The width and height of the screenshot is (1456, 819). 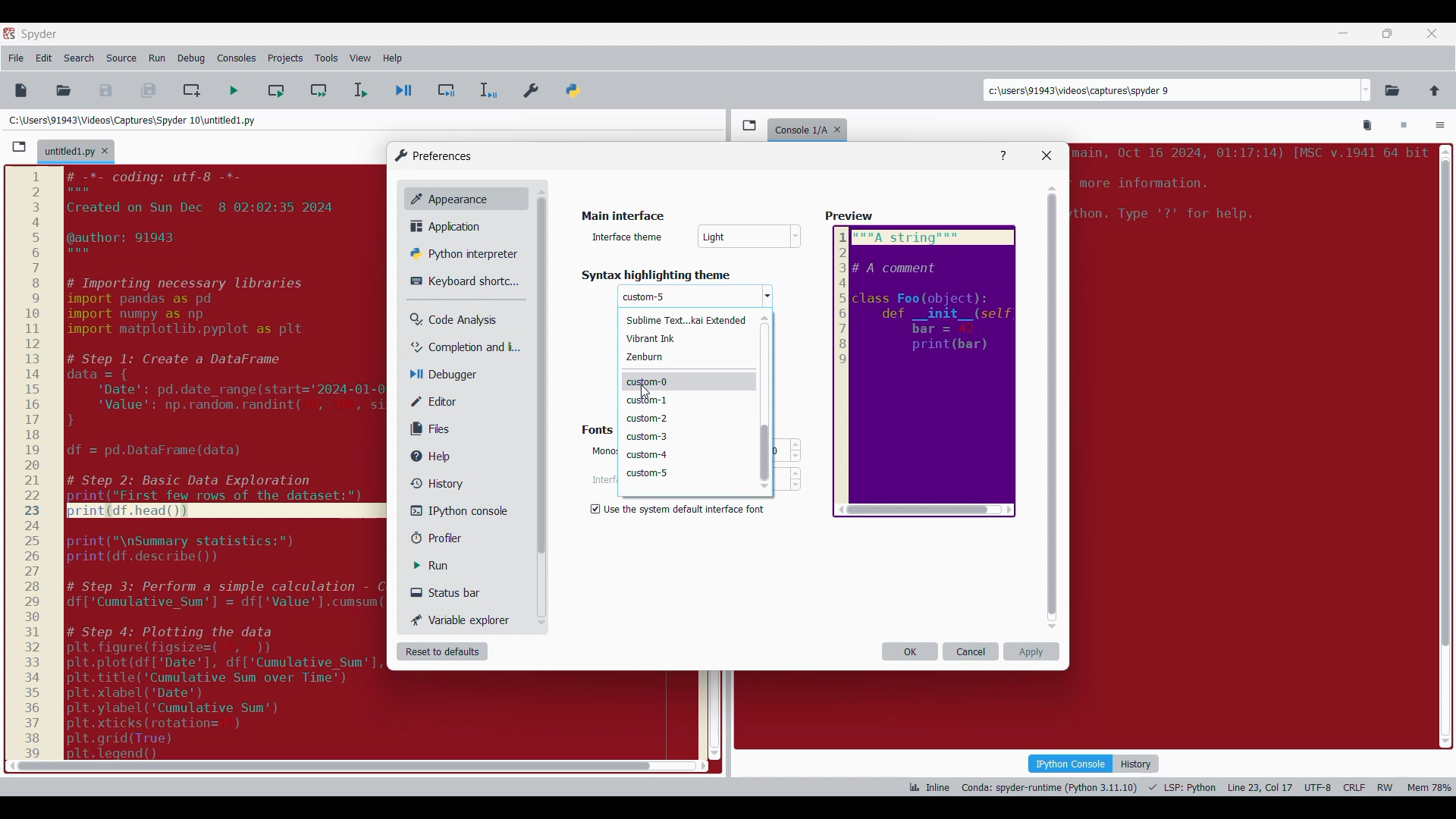 What do you see at coordinates (642, 391) in the screenshot?
I see `` at bounding box center [642, 391].